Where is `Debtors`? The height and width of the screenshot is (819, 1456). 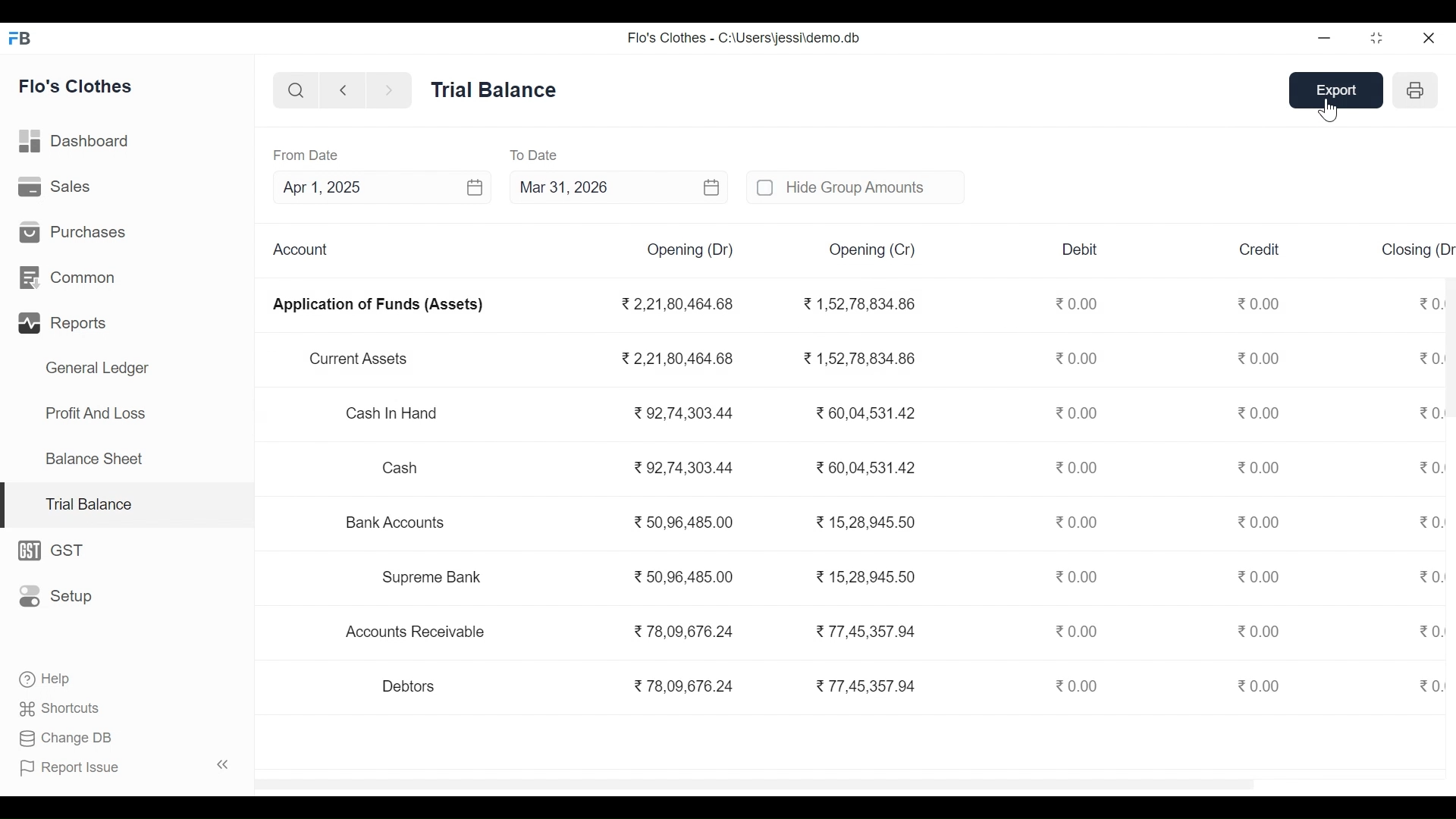 Debtors is located at coordinates (410, 686).